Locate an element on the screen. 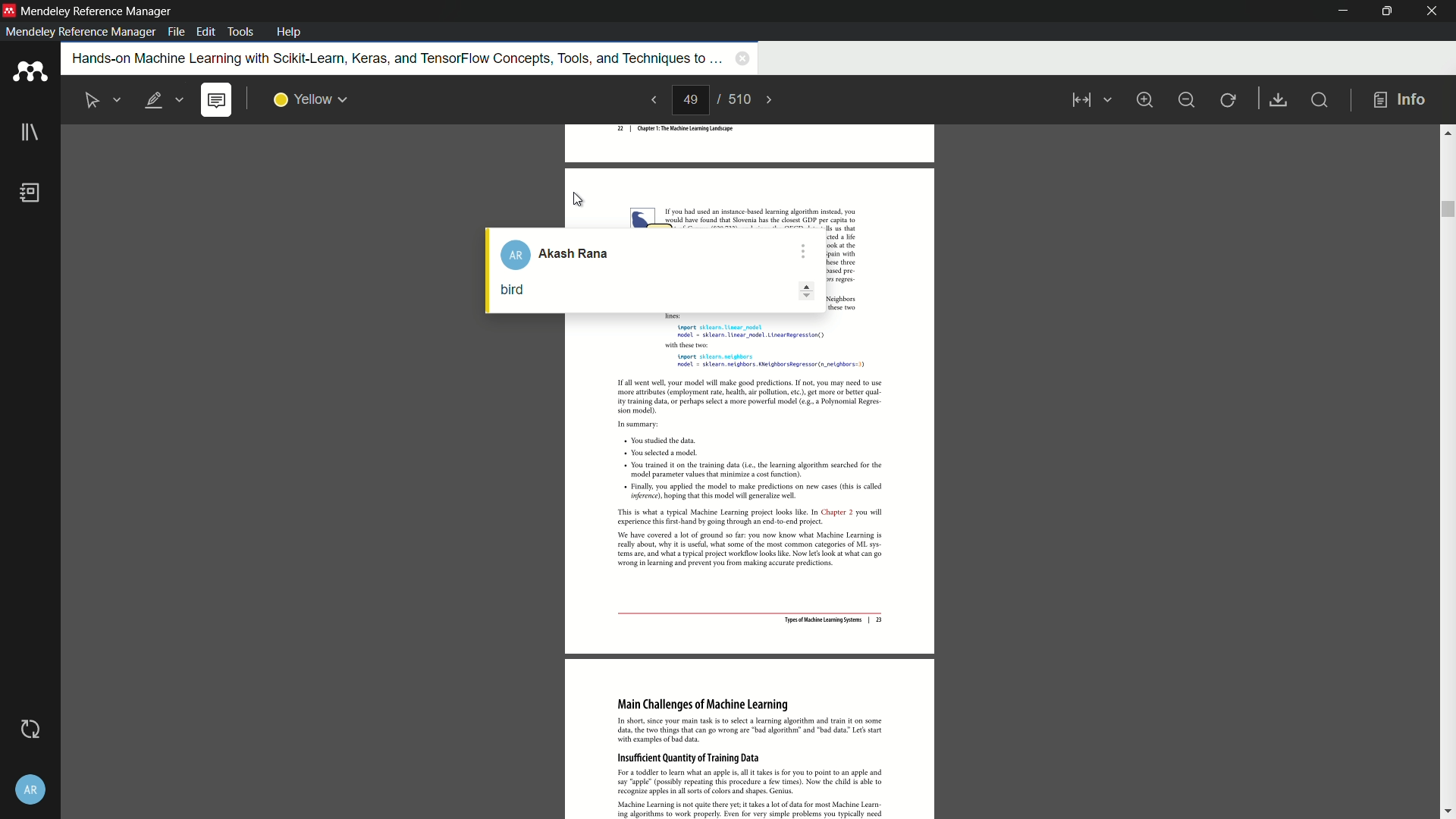  zoom out is located at coordinates (1187, 99).